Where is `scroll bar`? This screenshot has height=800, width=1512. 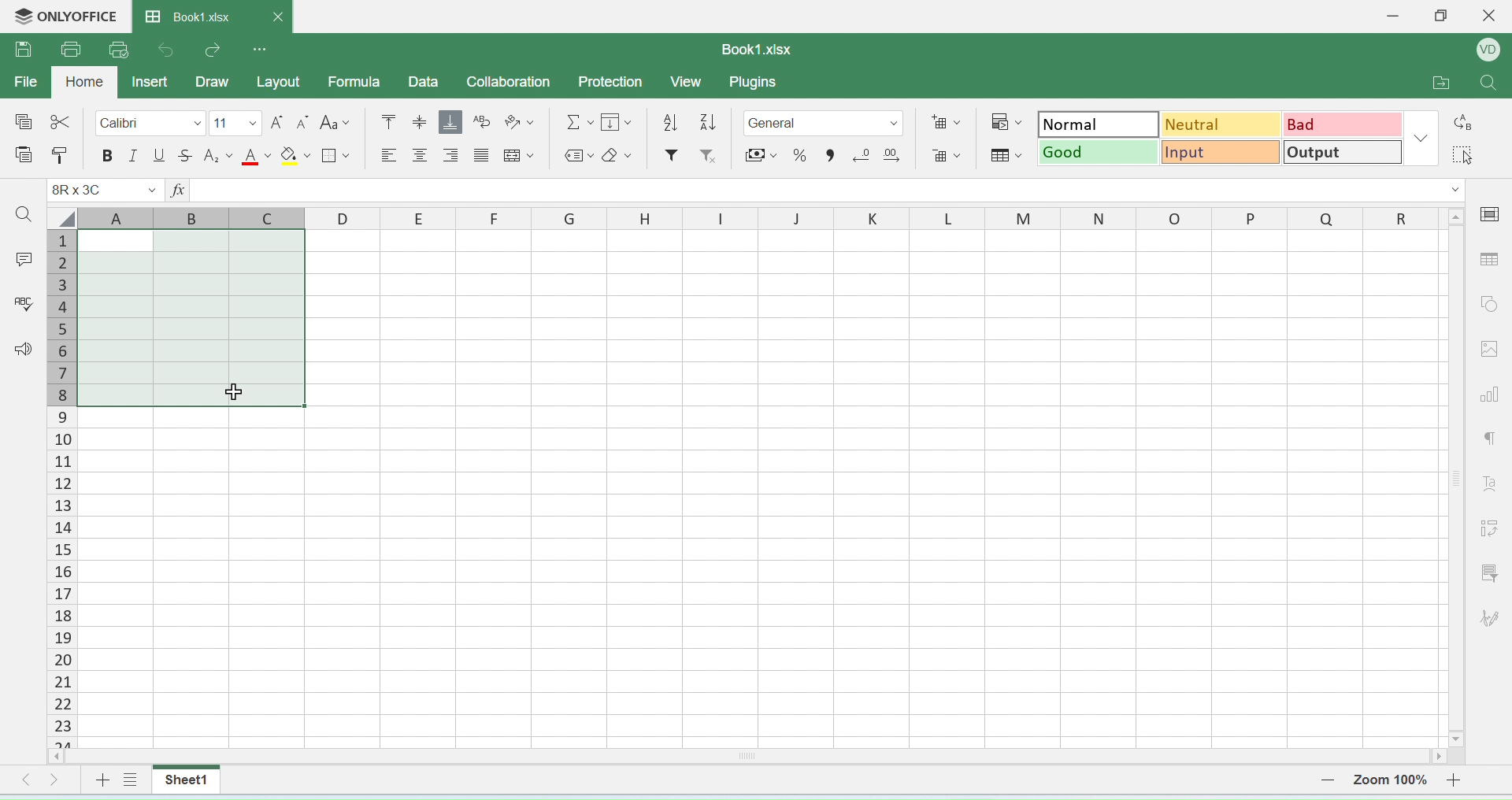 scroll bar is located at coordinates (1456, 473).